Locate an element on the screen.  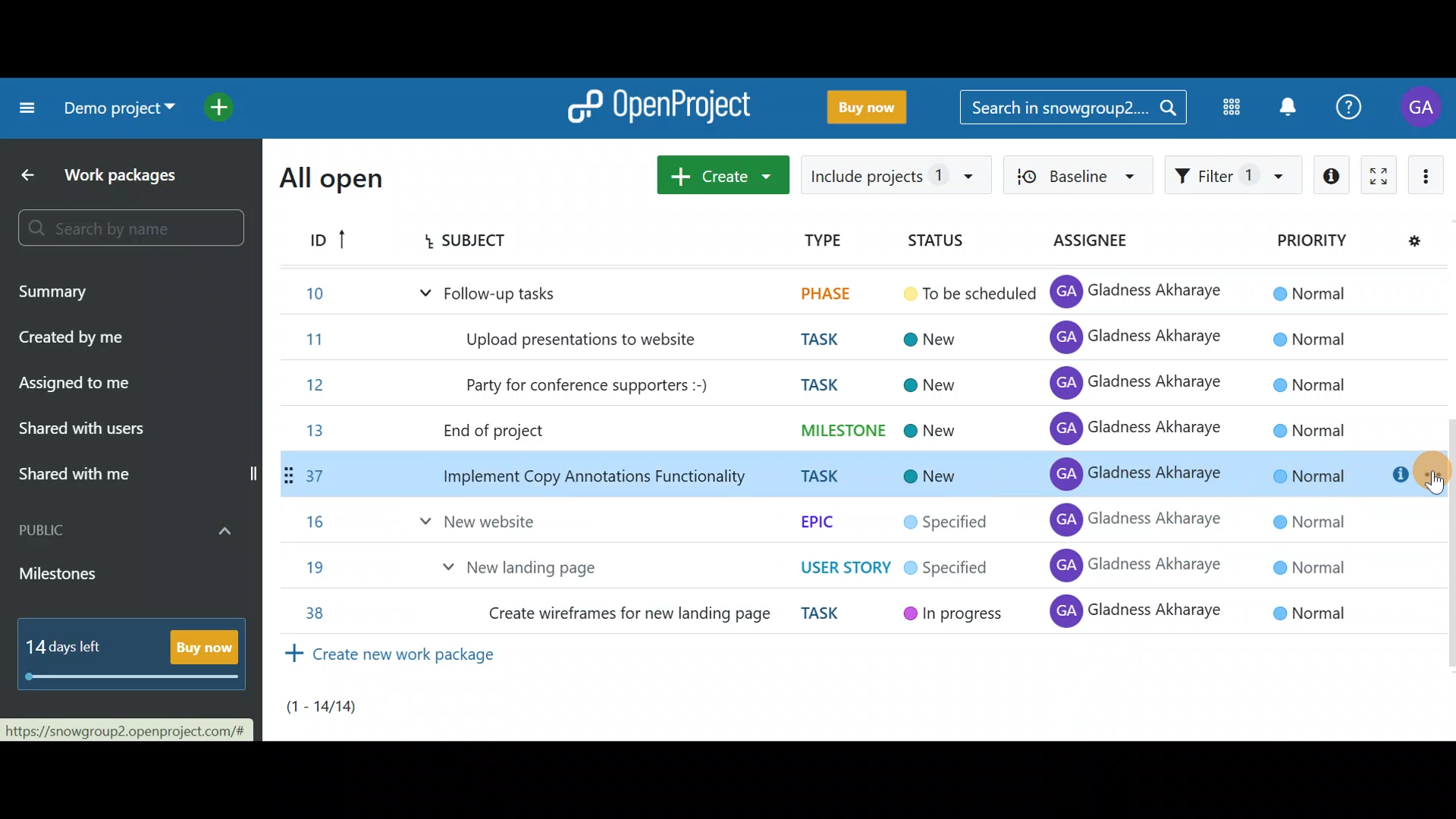
Open quick add menu is located at coordinates (223, 104).